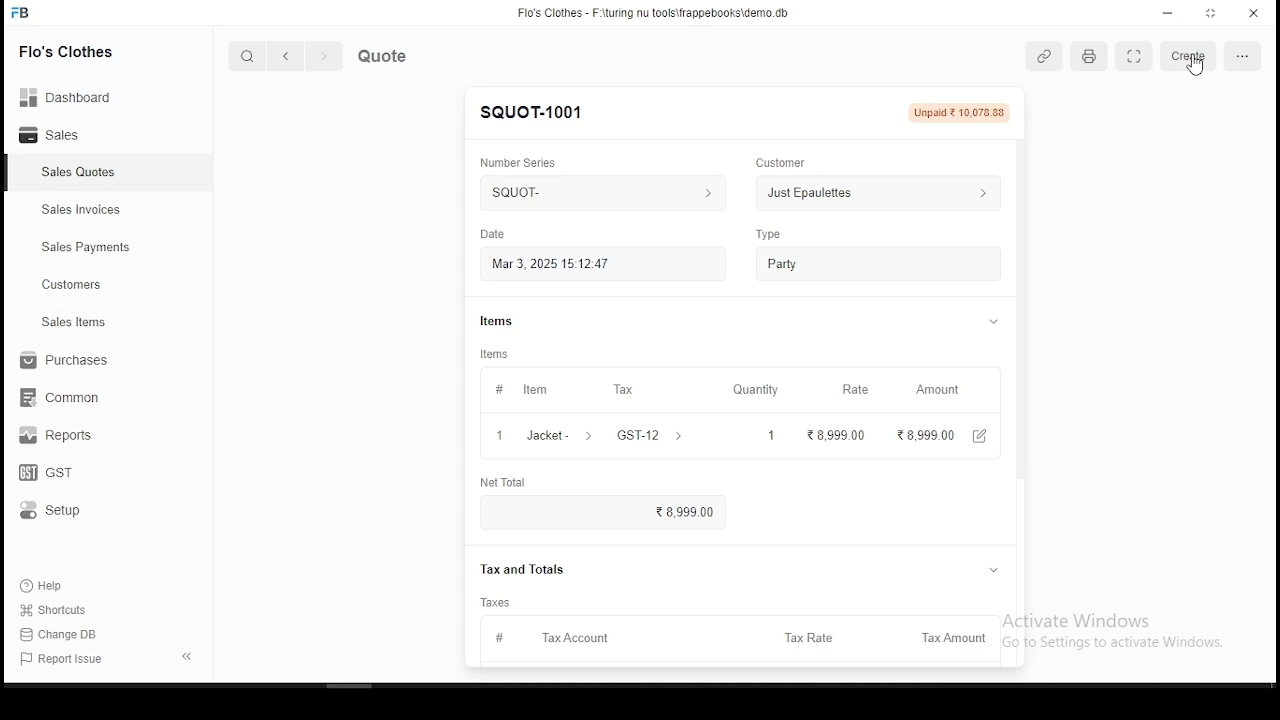 The image size is (1280, 720). What do you see at coordinates (604, 262) in the screenshot?
I see `Mar 3, 2025 15:12:47` at bounding box center [604, 262].